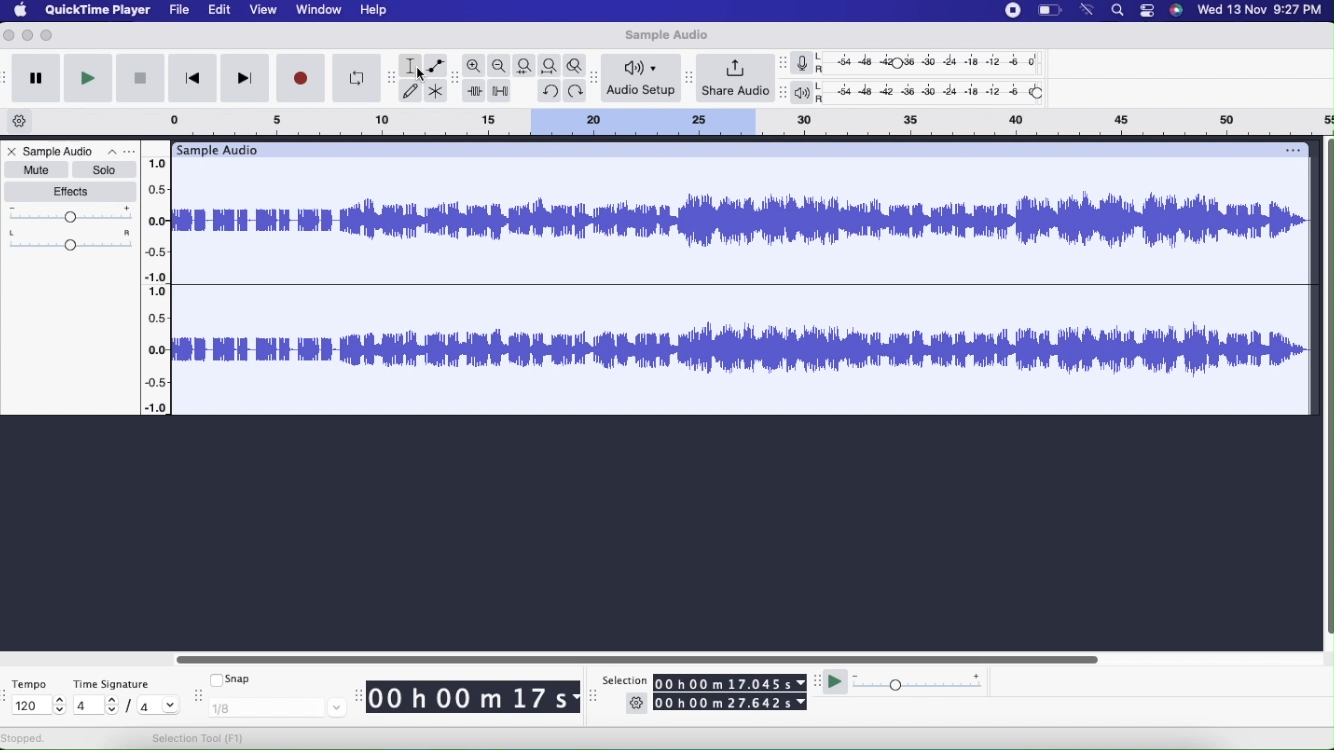 Image resolution: width=1334 pixels, height=750 pixels. I want to click on Zoom Toggle, so click(578, 64).